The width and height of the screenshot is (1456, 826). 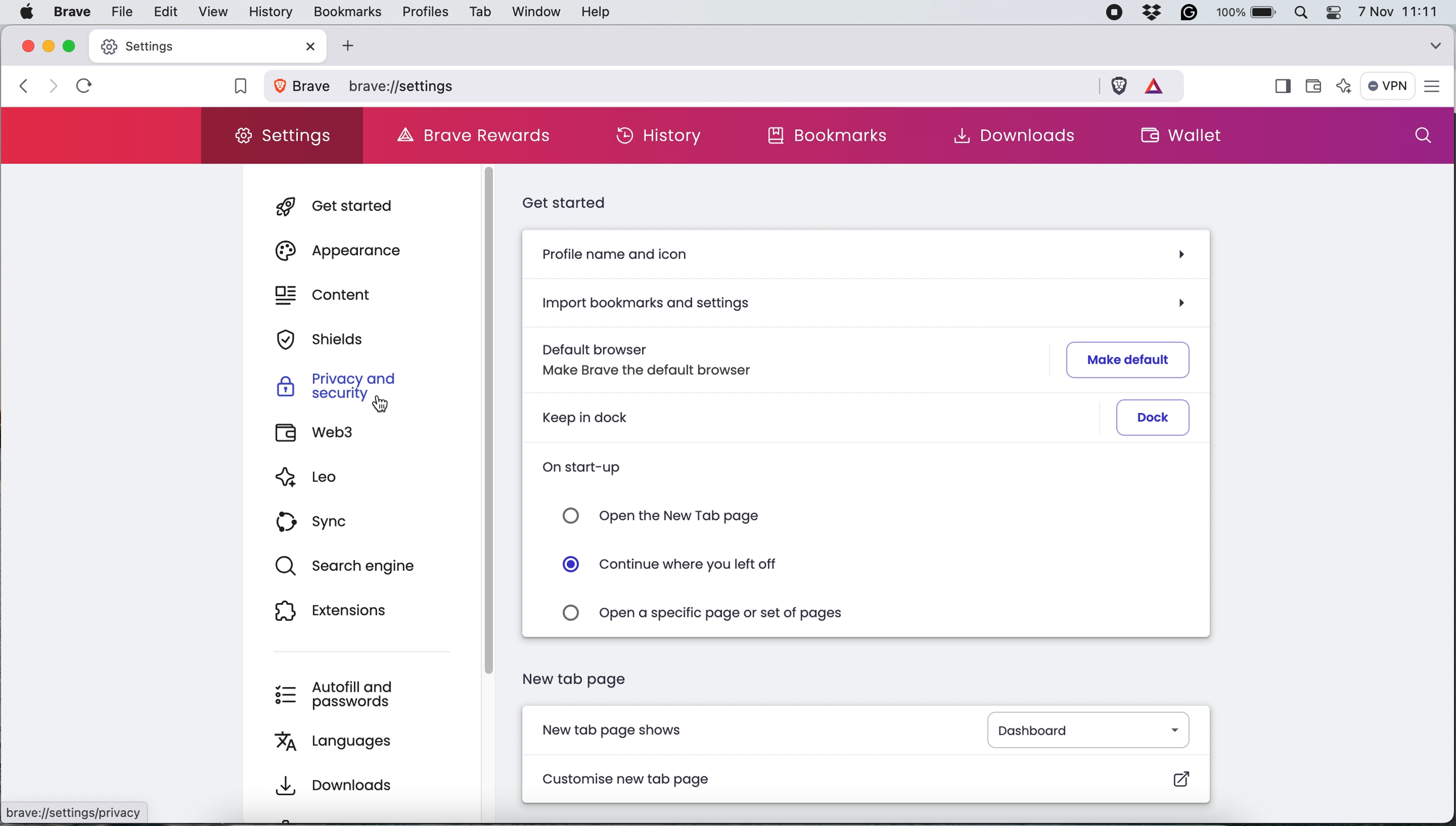 I want to click on shields, so click(x=328, y=339).